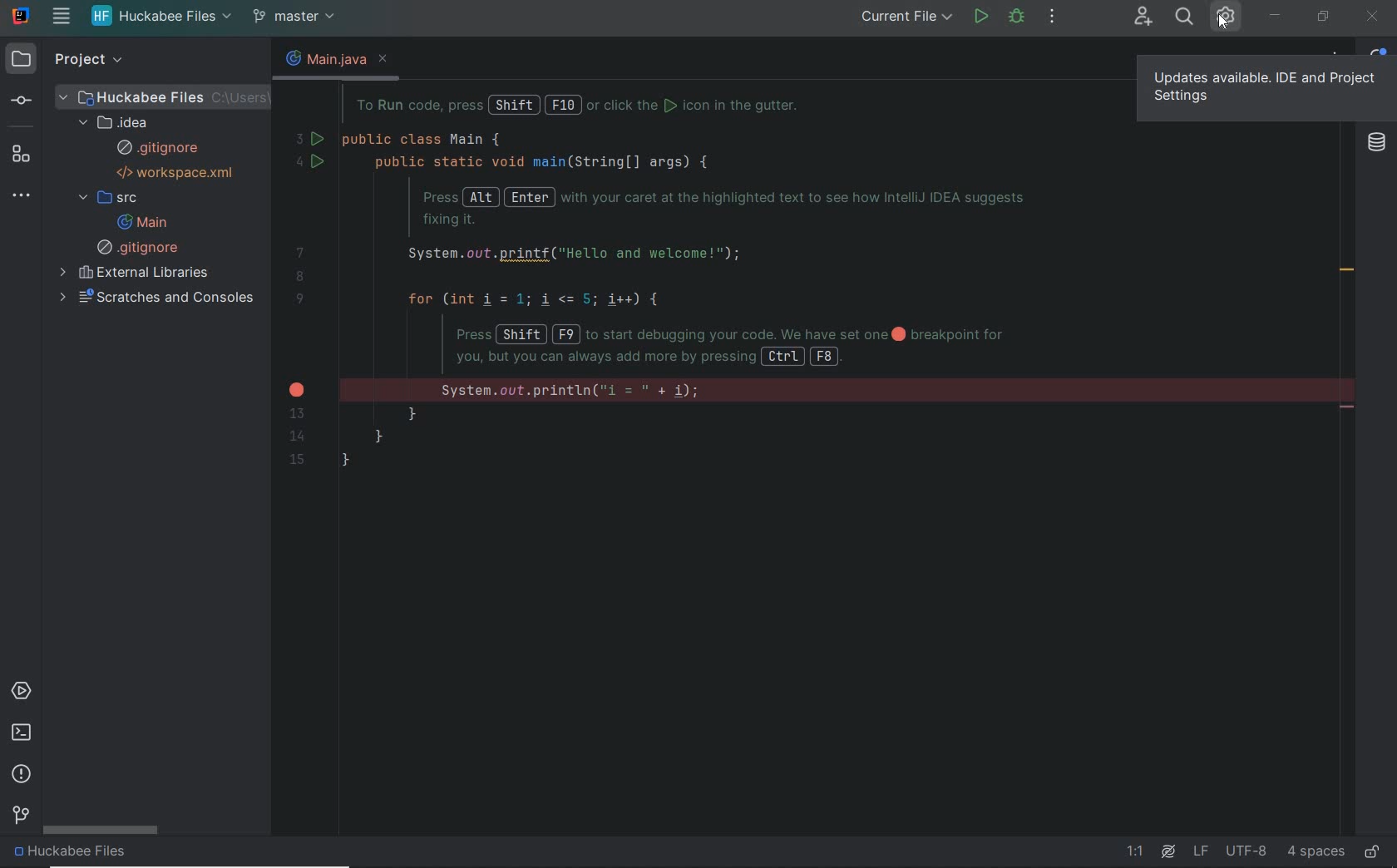  I want to click on scratches and consoles, so click(159, 298).